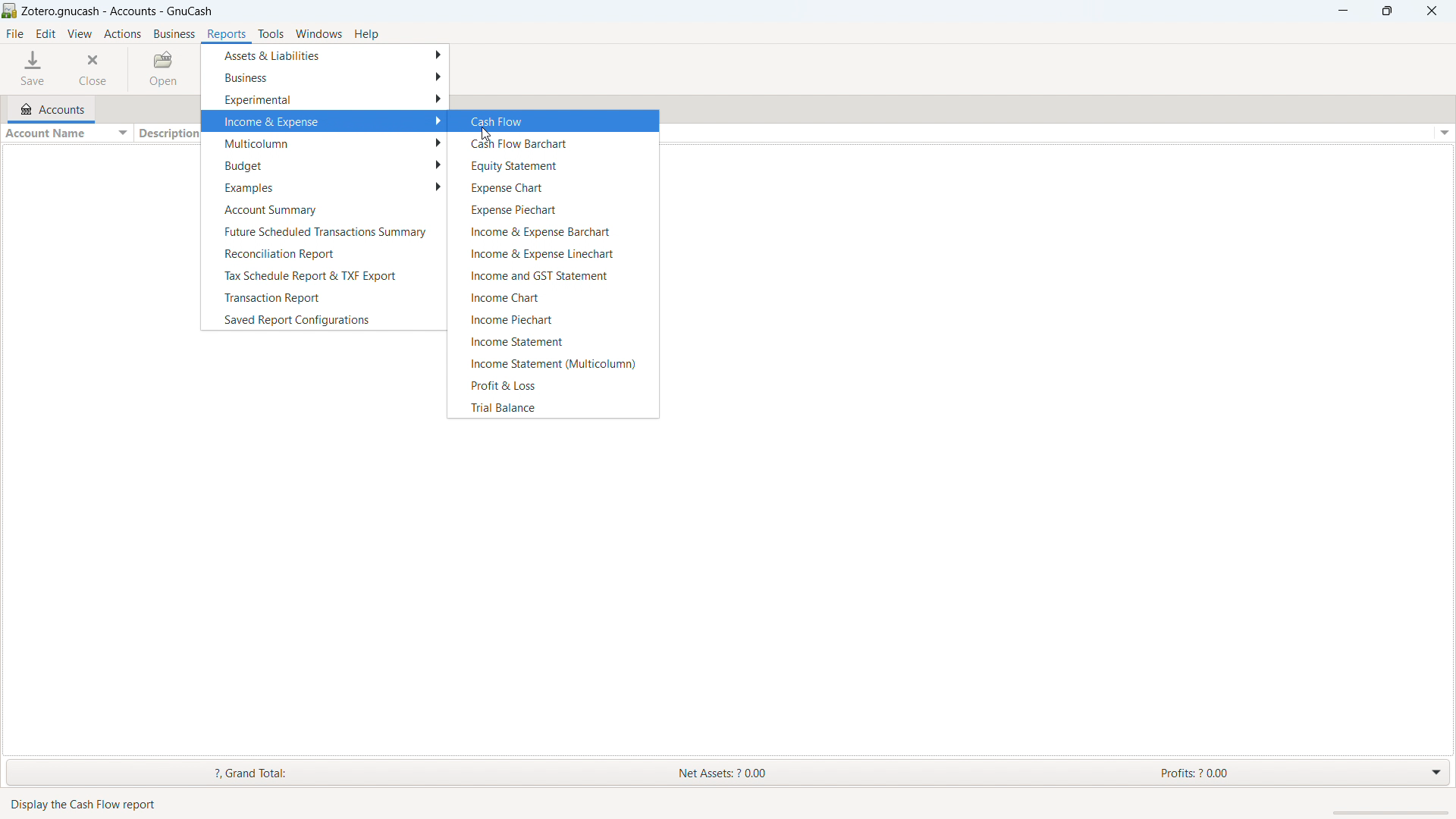 The width and height of the screenshot is (1456, 819). What do you see at coordinates (325, 76) in the screenshot?
I see `business` at bounding box center [325, 76].